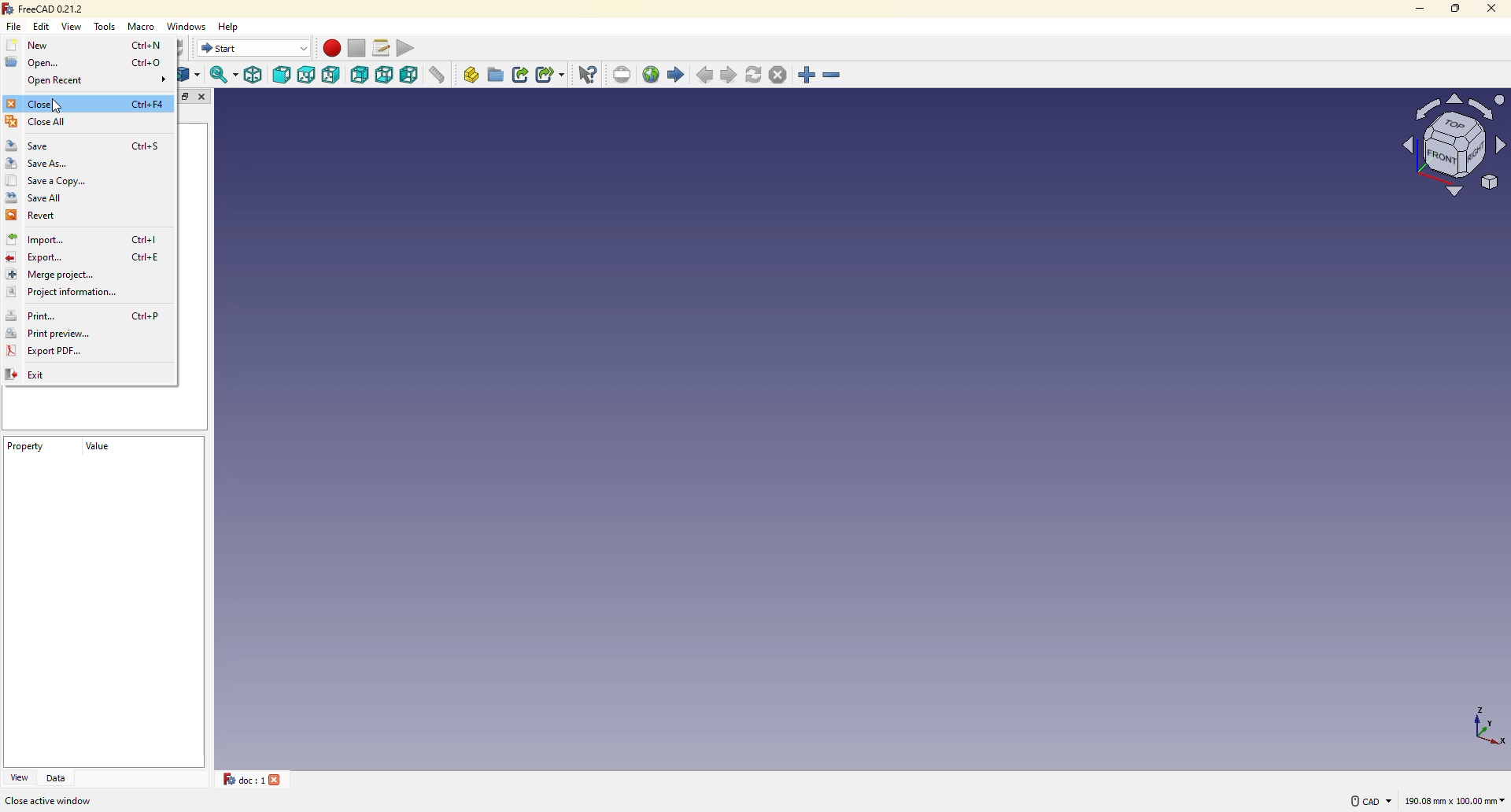 This screenshot has width=1511, height=812. Describe the element at coordinates (33, 146) in the screenshot. I see `save` at that location.